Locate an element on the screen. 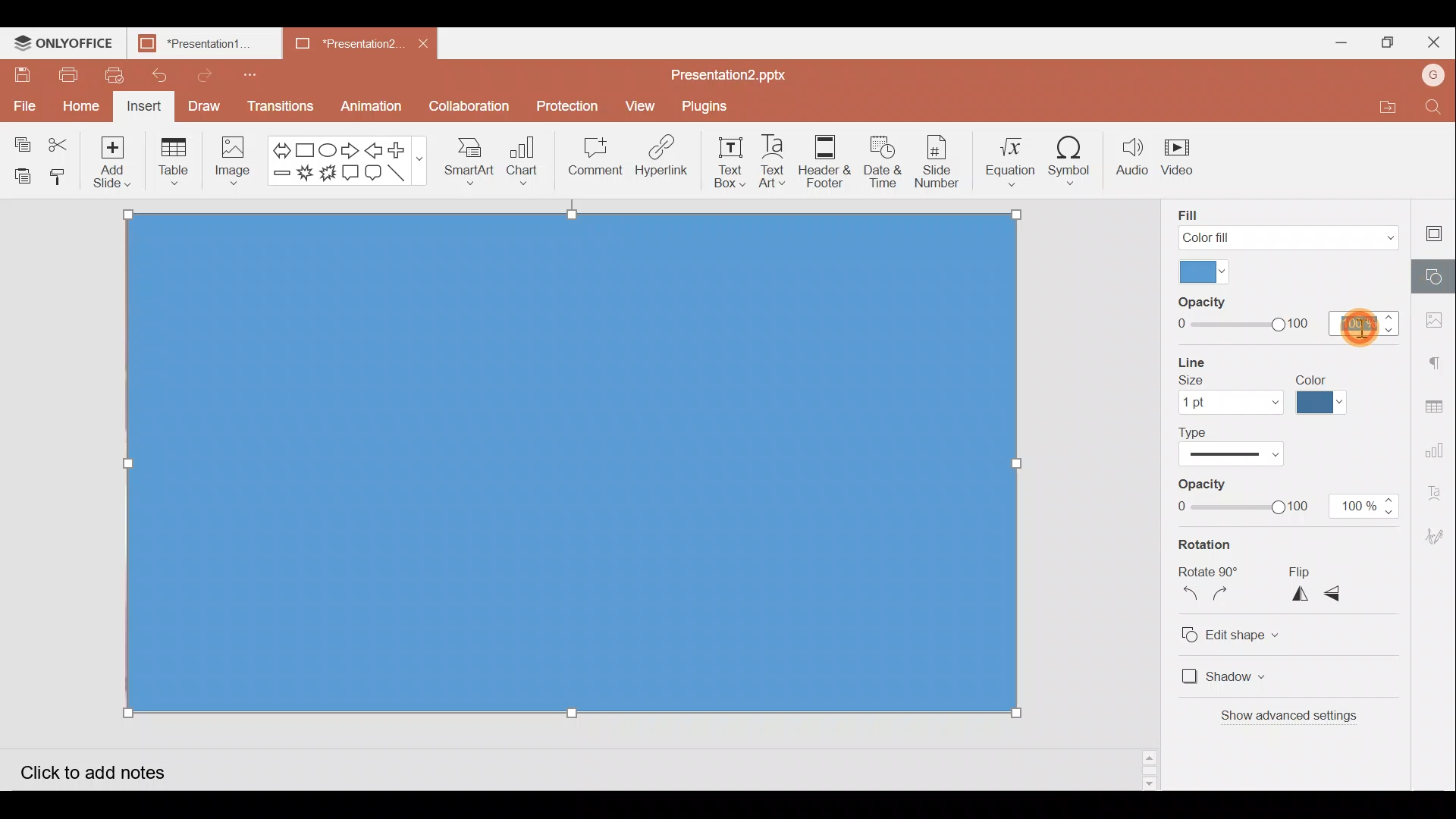  Text Art settings is located at coordinates (1441, 490).